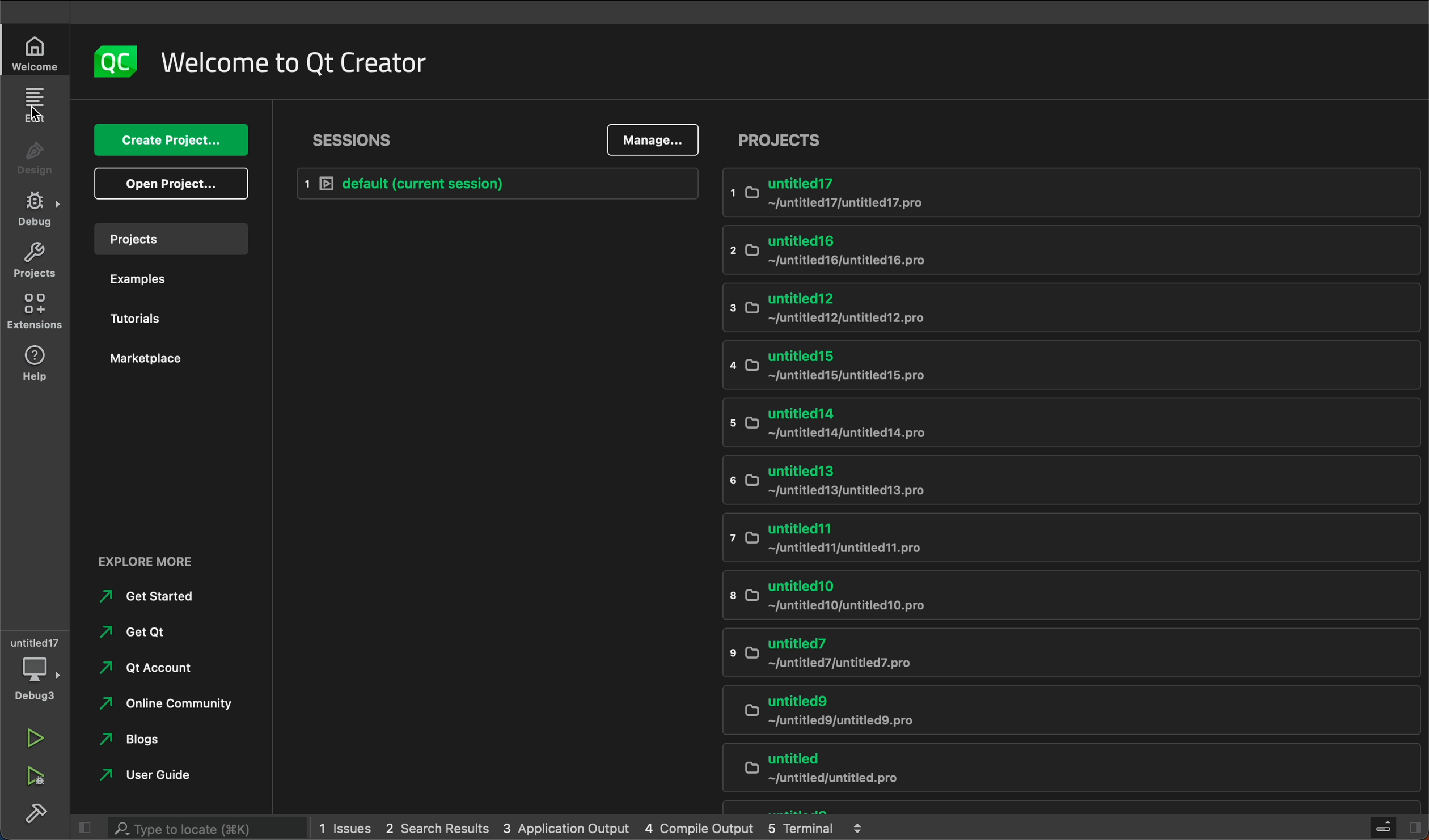 Image resolution: width=1429 pixels, height=840 pixels. What do you see at coordinates (188, 829) in the screenshot?
I see `search` at bounding box center [188, 829].